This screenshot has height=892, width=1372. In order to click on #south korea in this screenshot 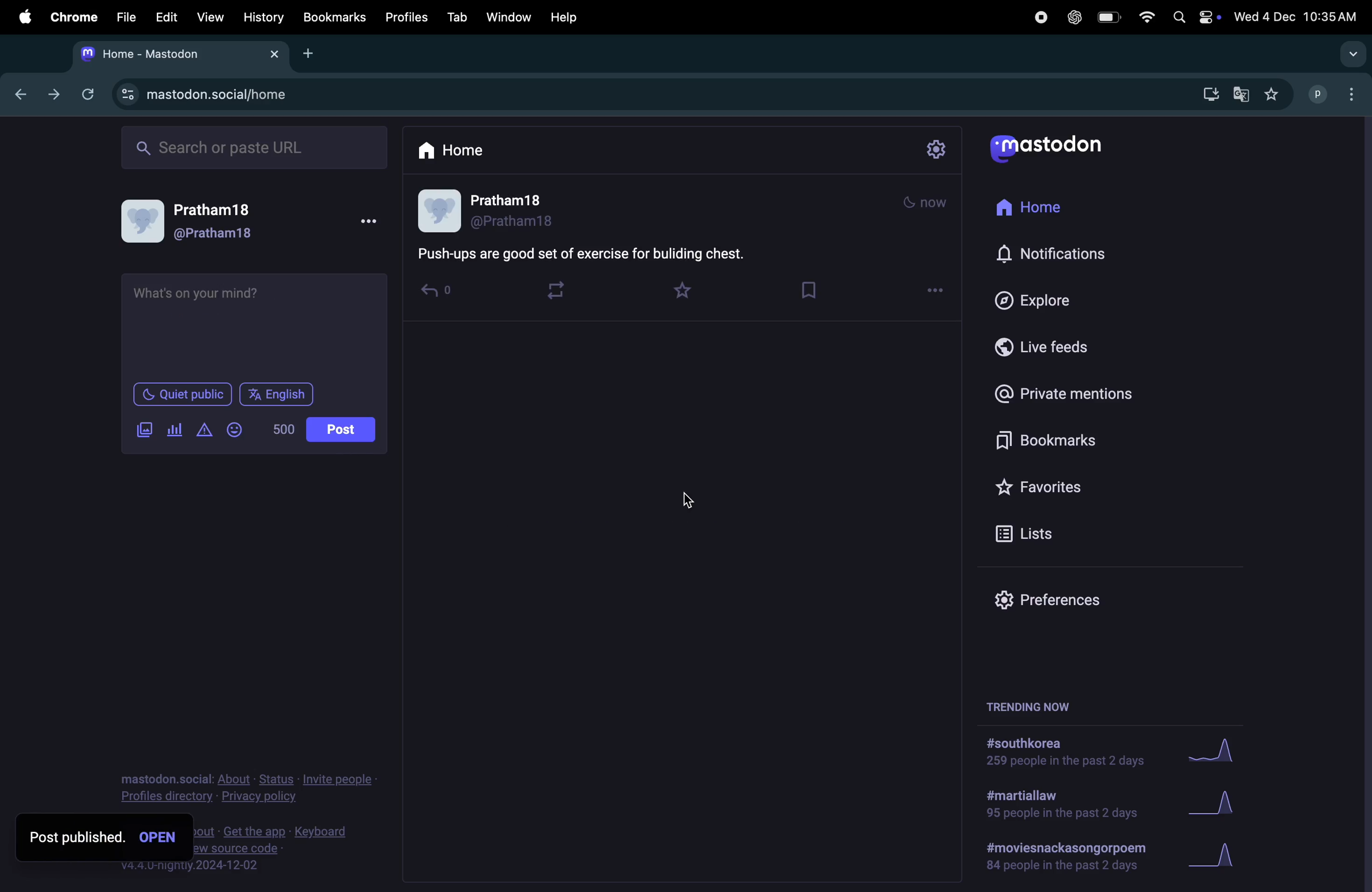, I will do `click(1060, 753)`.